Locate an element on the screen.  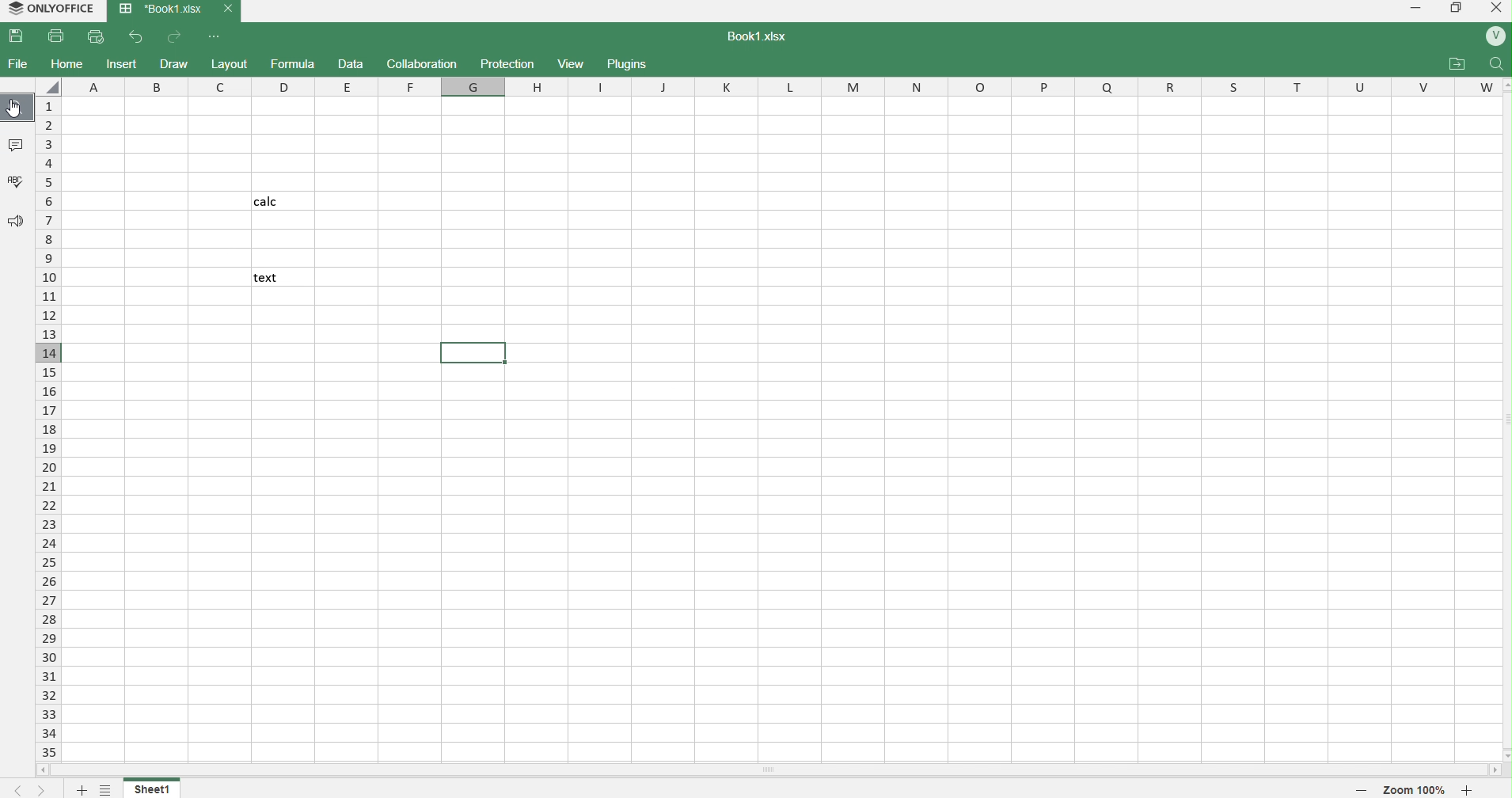
close tab is located at coordinates (228, 11).